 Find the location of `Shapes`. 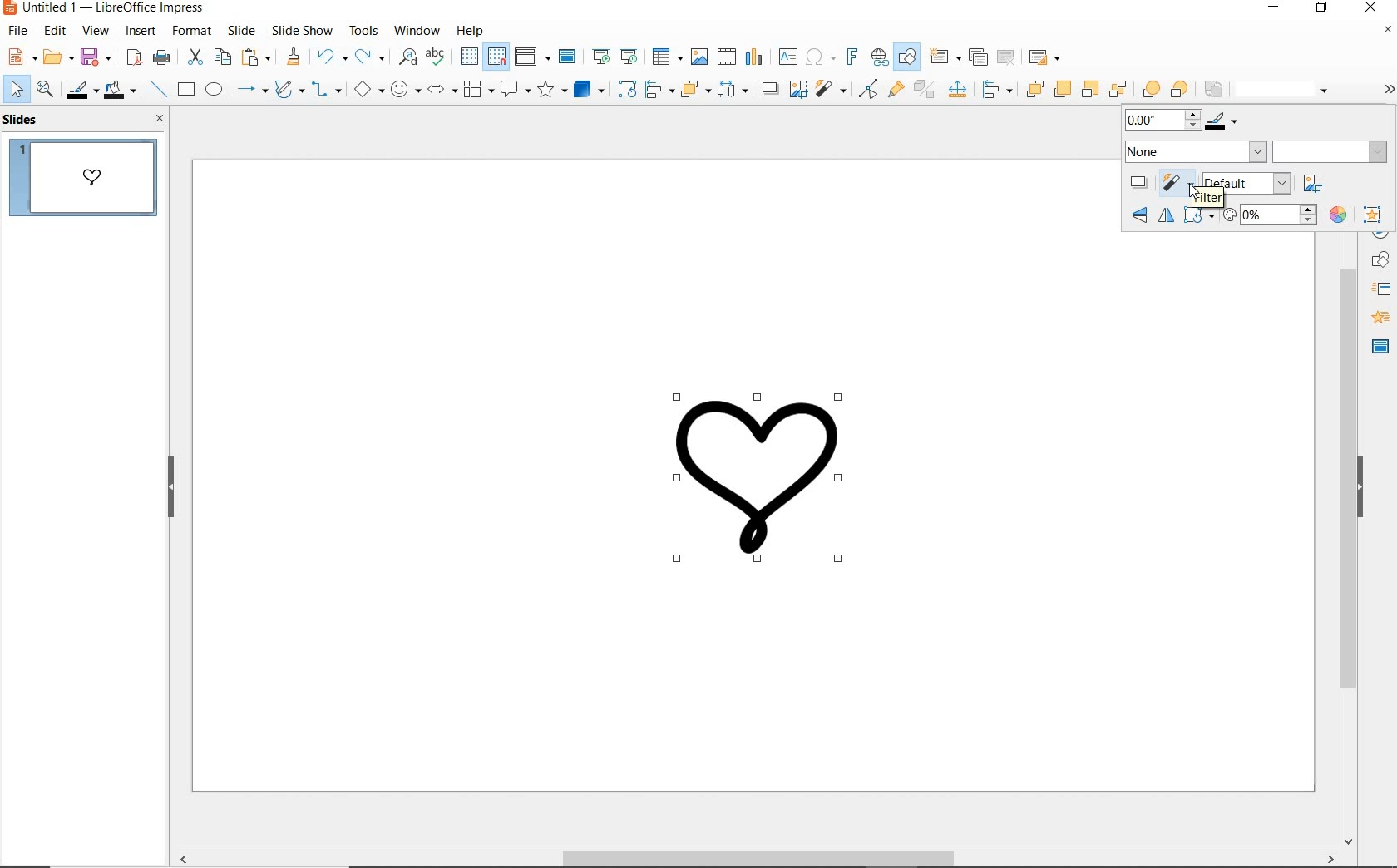

Shapes is located at coordinates (1381, 260).